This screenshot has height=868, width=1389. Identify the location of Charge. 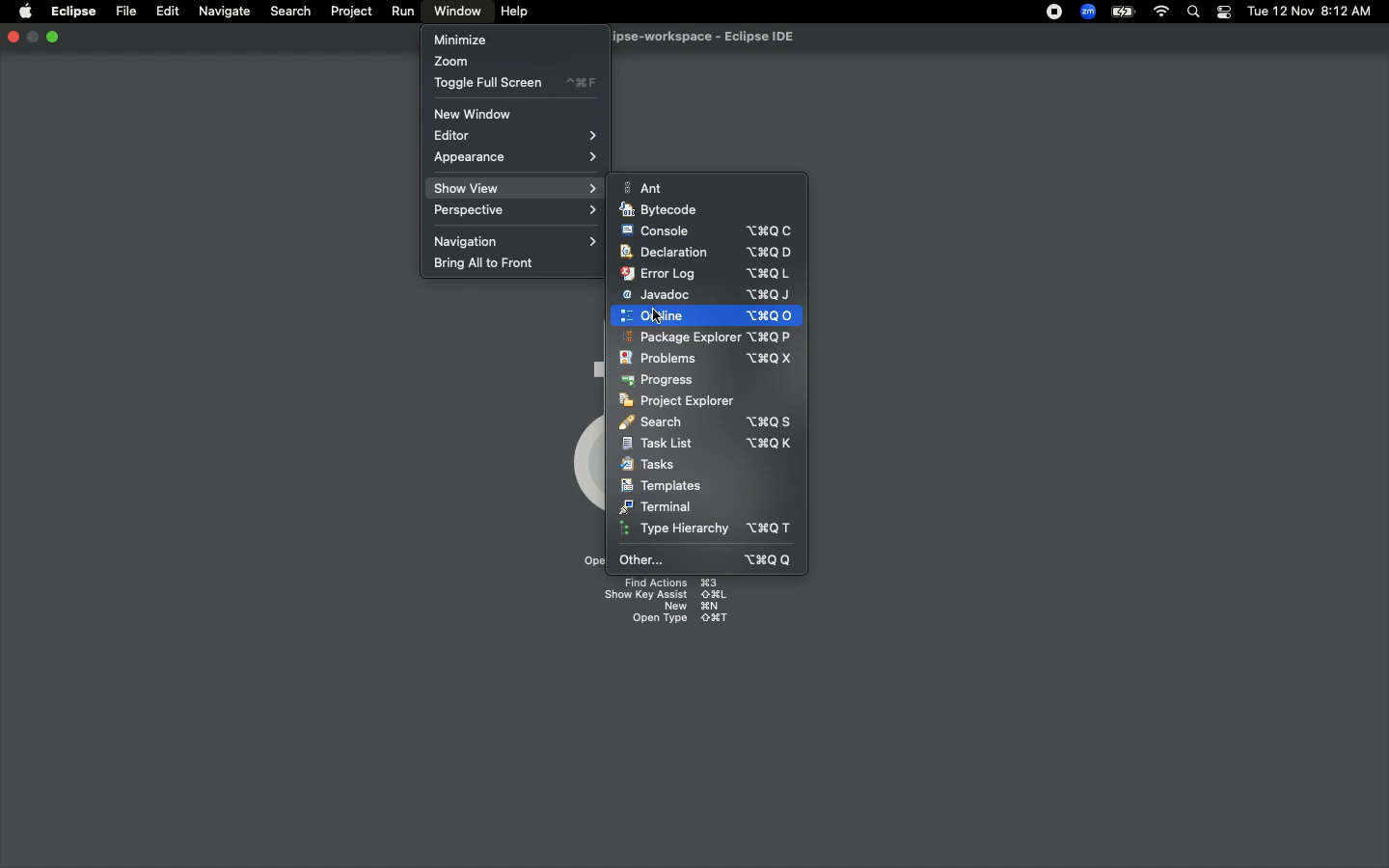
(1119, 14).